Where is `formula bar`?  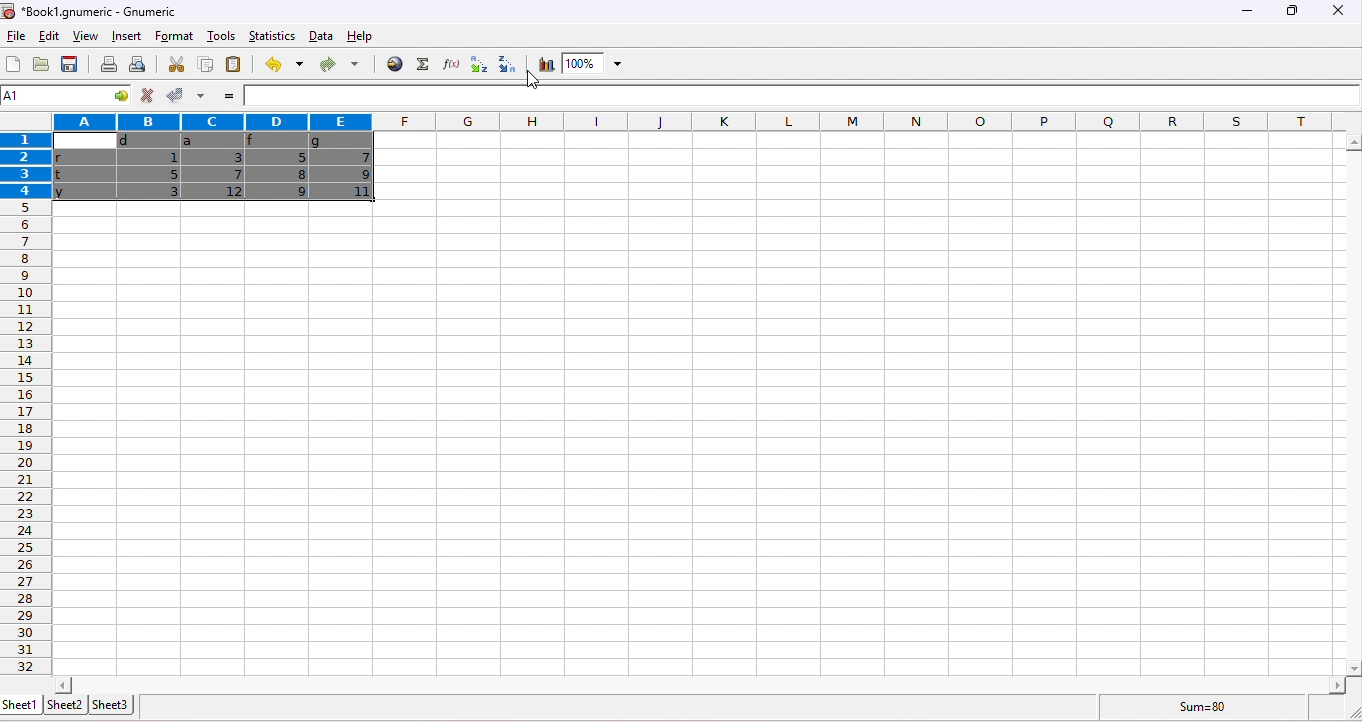 formula bar is located at coordinates (803, 95).